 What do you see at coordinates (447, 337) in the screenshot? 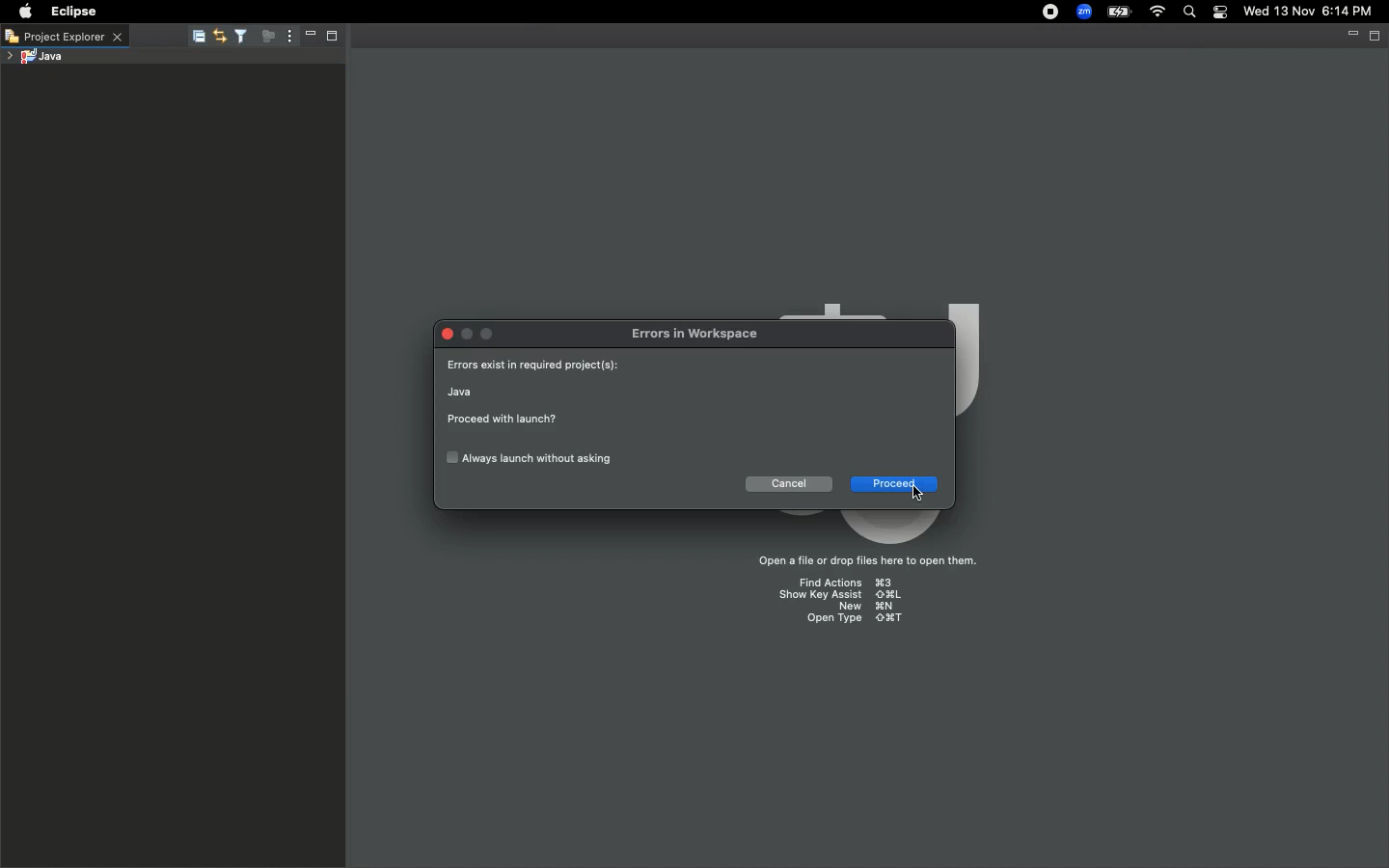
I see `Close` at bounding box center [447, 337].